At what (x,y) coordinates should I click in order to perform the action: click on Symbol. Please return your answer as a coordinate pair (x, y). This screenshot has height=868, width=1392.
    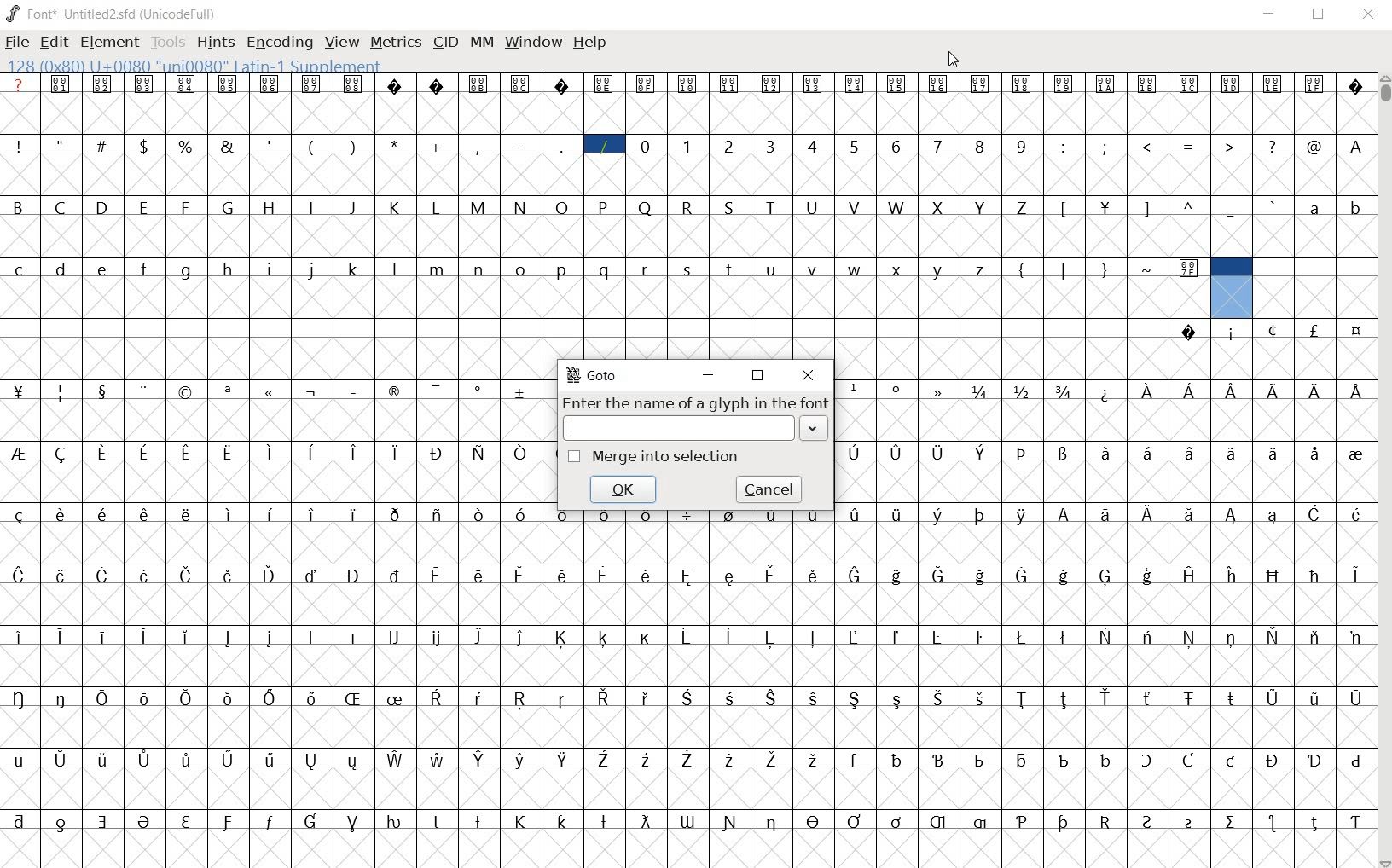
    Looking at the image, I should click on (1187, 574).